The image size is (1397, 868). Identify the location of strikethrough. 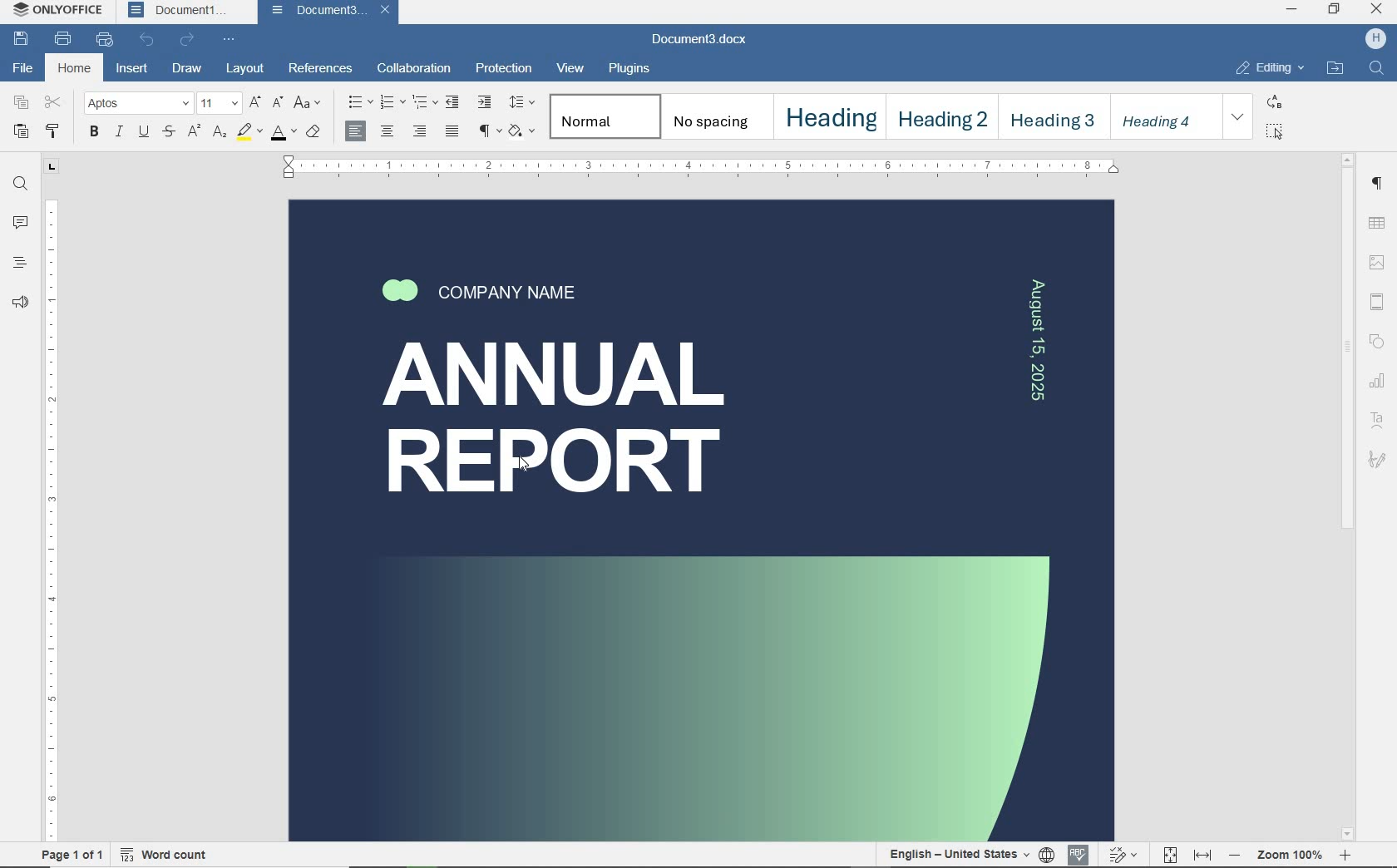
(170, 131).